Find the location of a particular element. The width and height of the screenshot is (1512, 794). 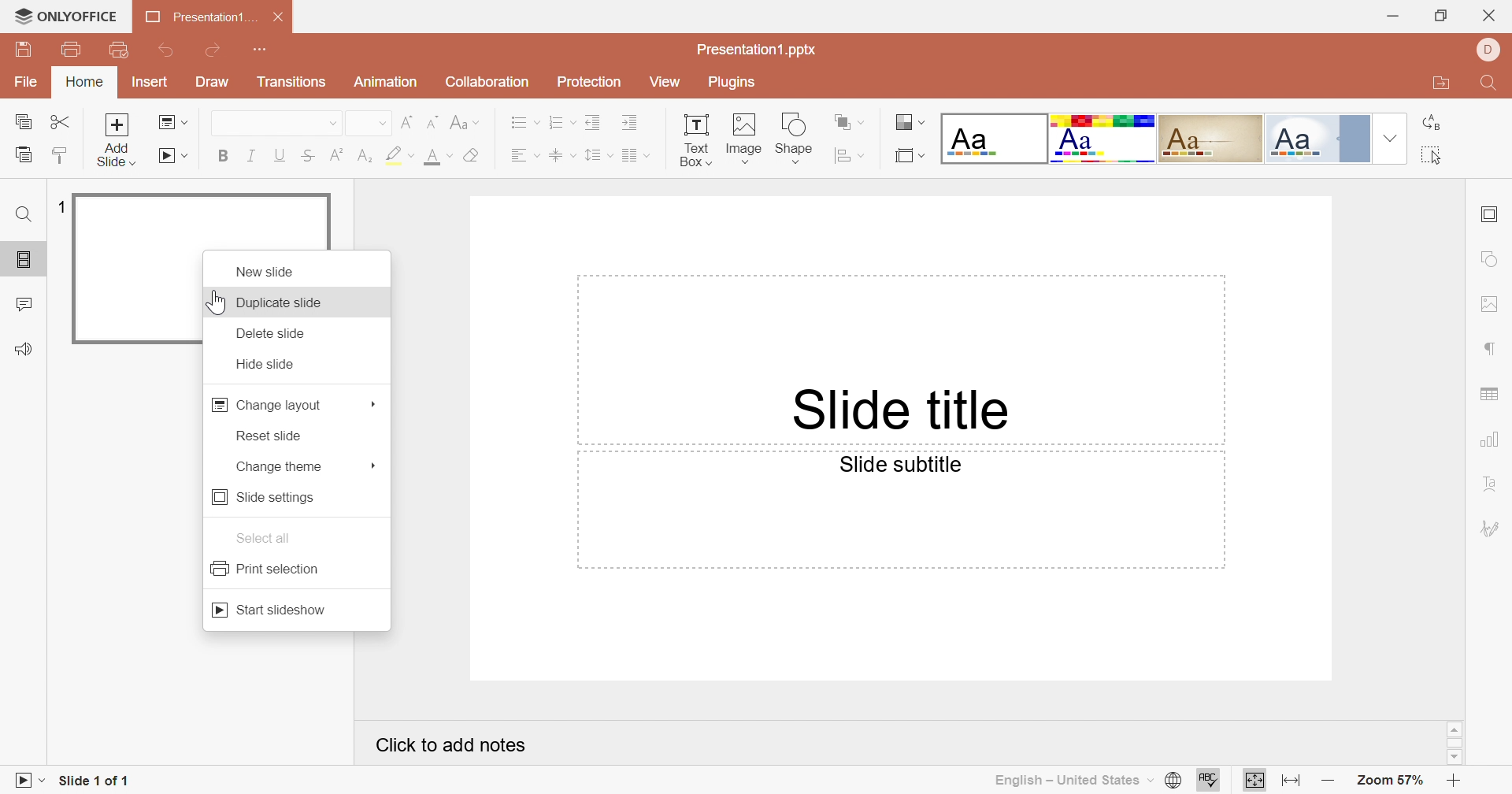

Duplicate slide is located at coordinates (285, 305).